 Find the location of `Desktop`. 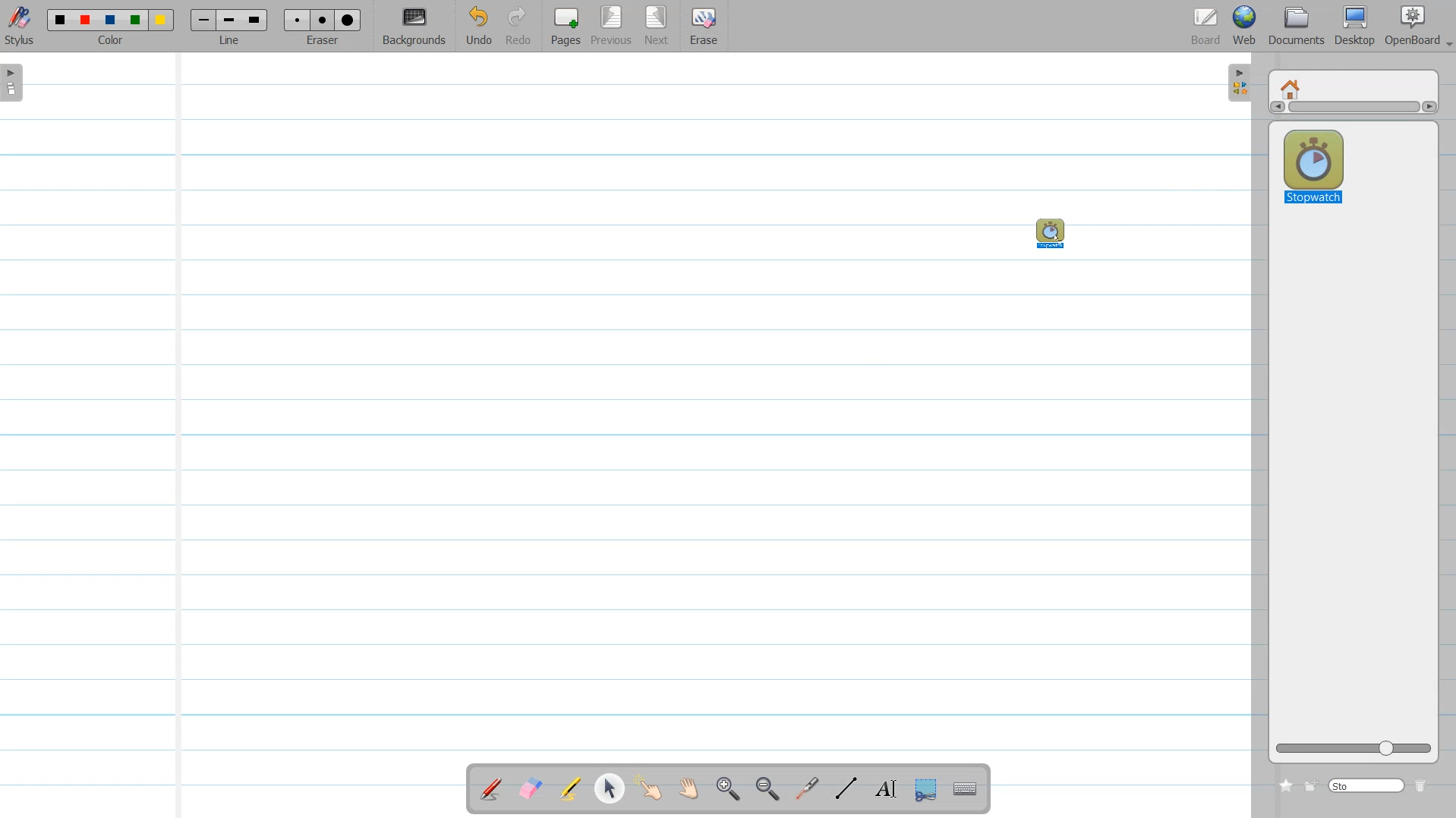

Desktop is located at coordinates (1355, 26).